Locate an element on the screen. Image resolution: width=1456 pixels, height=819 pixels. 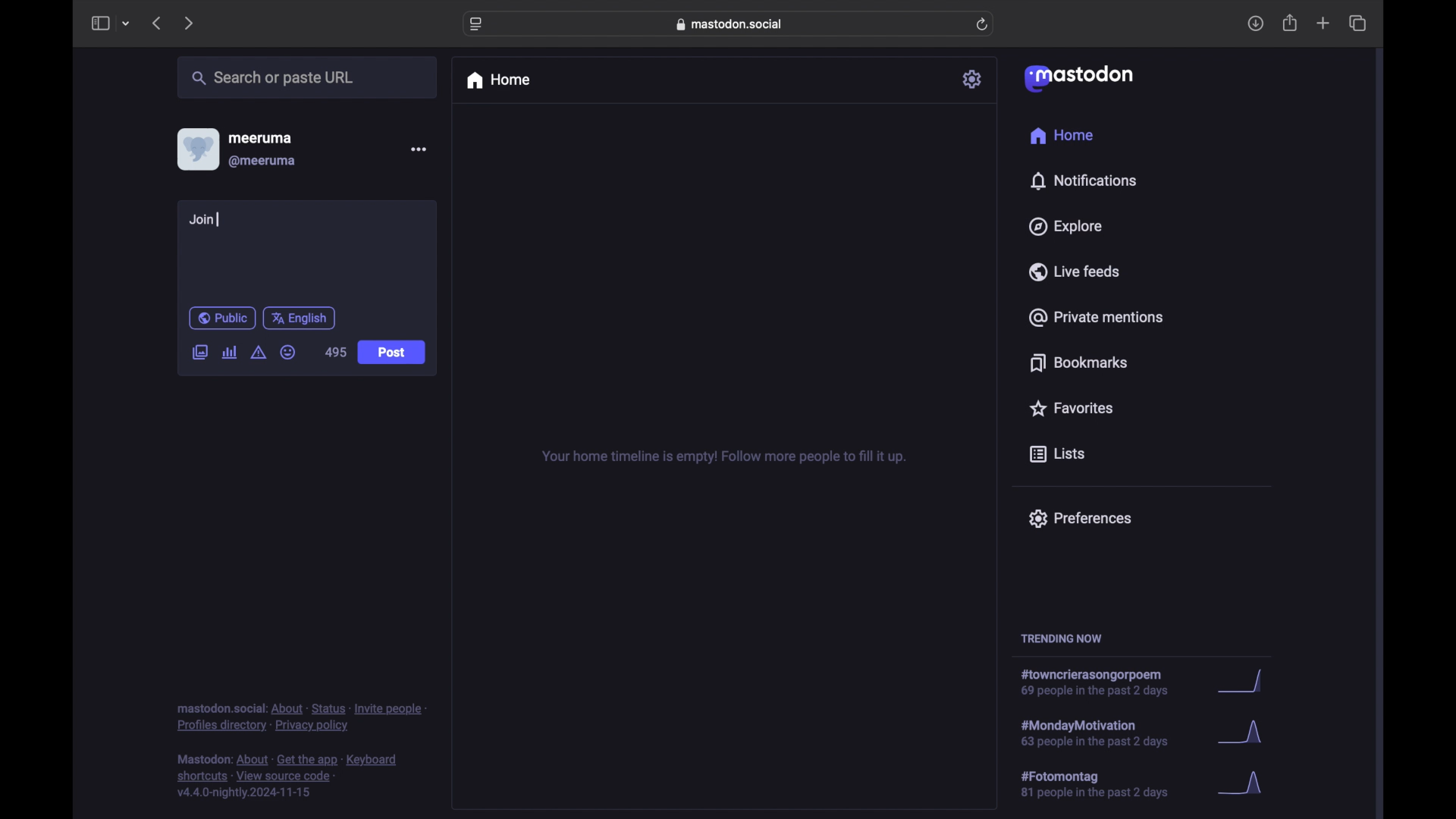
favorites is located at coordinates (1070, 408).